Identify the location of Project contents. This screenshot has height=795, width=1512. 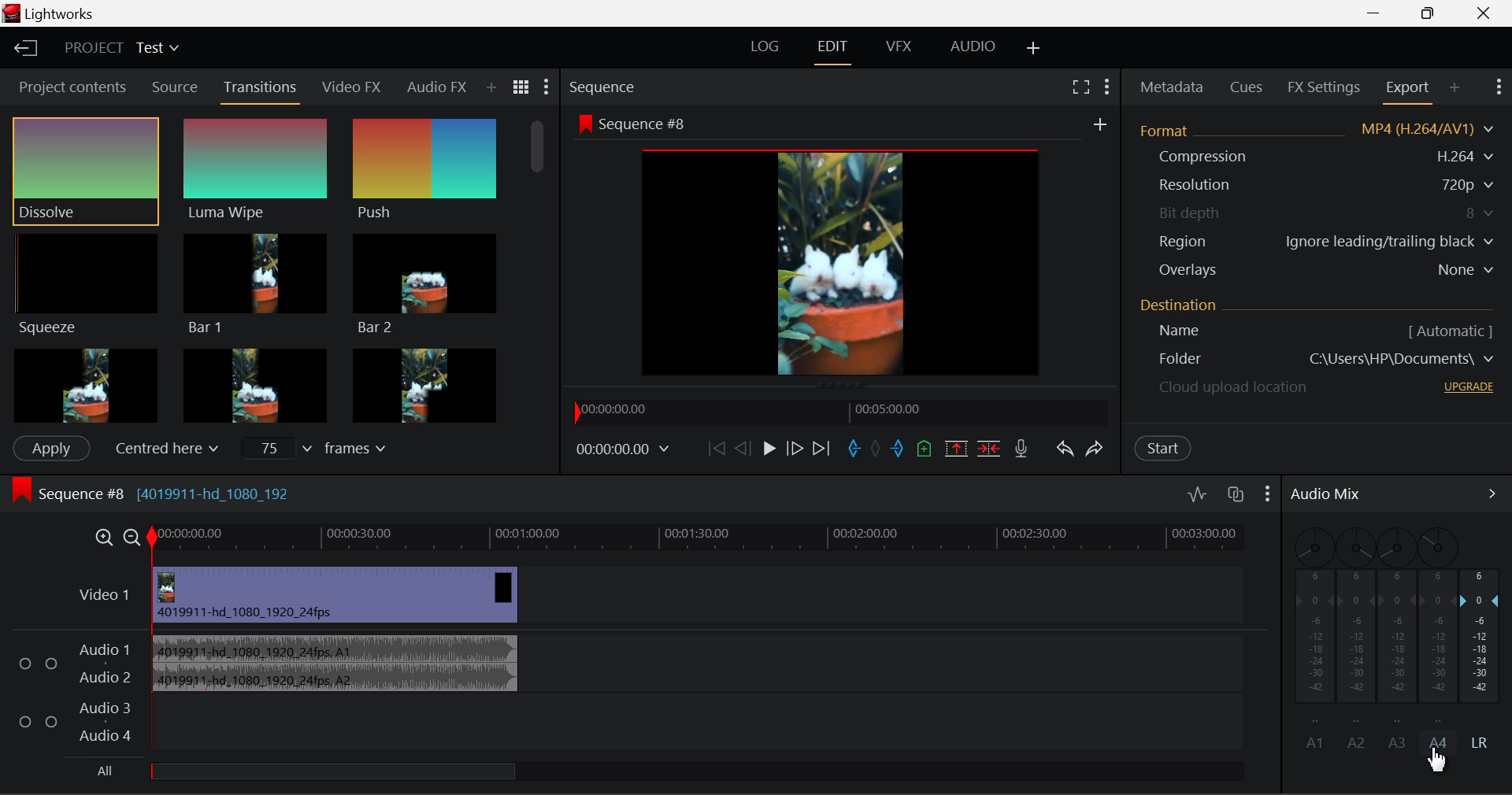
(67, 87).